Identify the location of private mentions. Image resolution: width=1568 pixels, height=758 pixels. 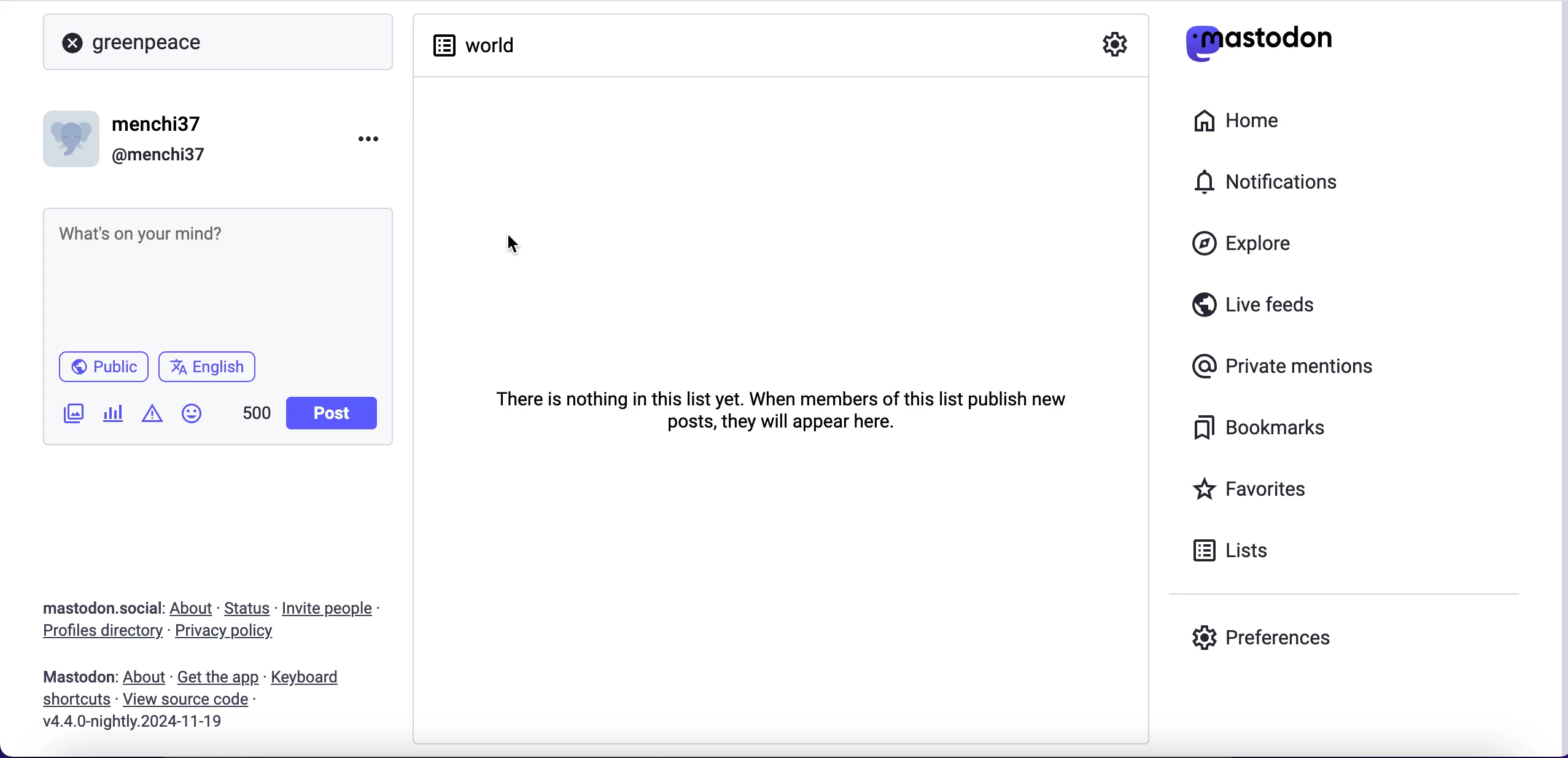
(1287, 363).